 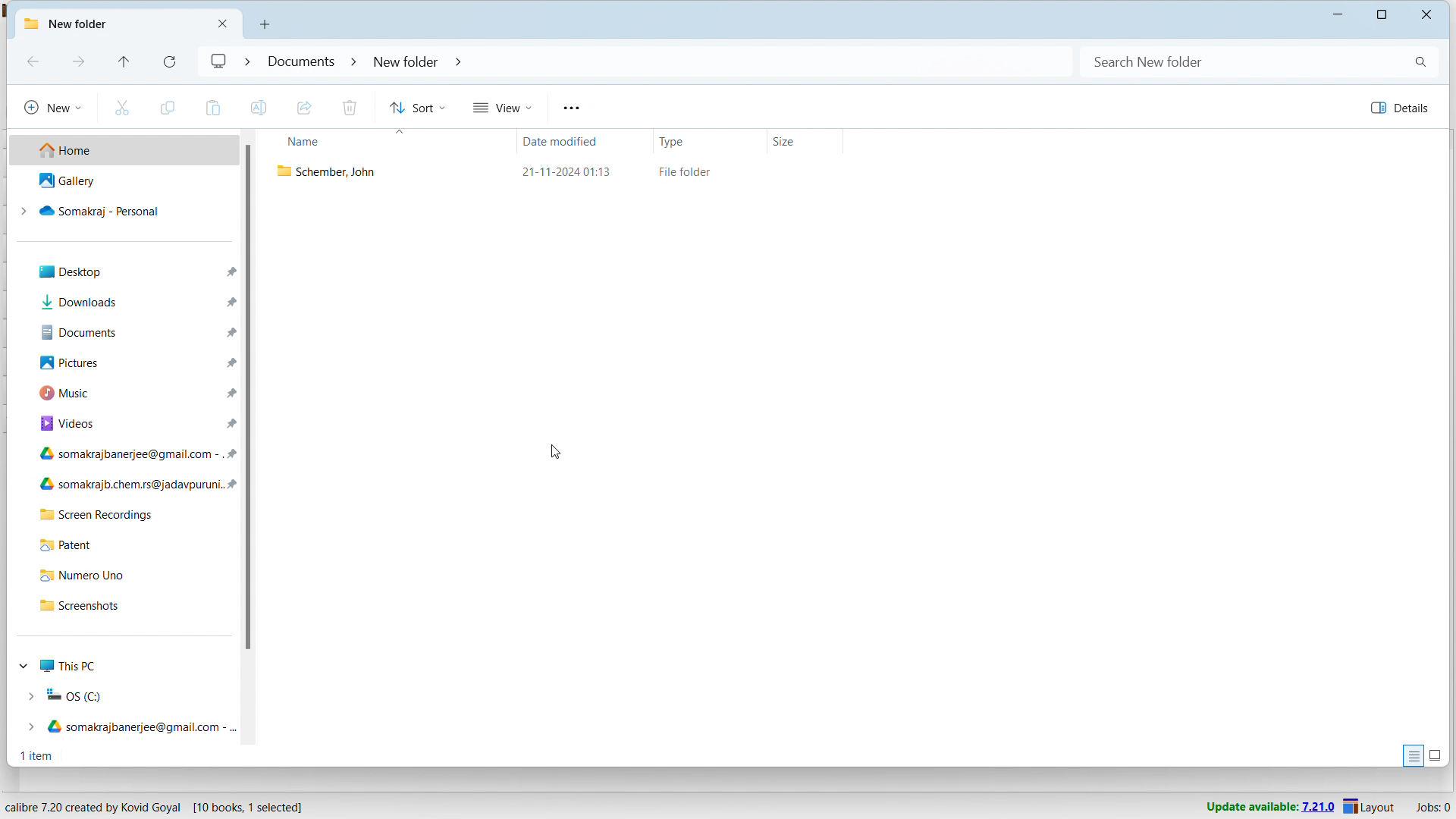 What do you see at coordinates (1371, 806) in the screenshot?
I see `layout` at bounding box center [1371, 806].